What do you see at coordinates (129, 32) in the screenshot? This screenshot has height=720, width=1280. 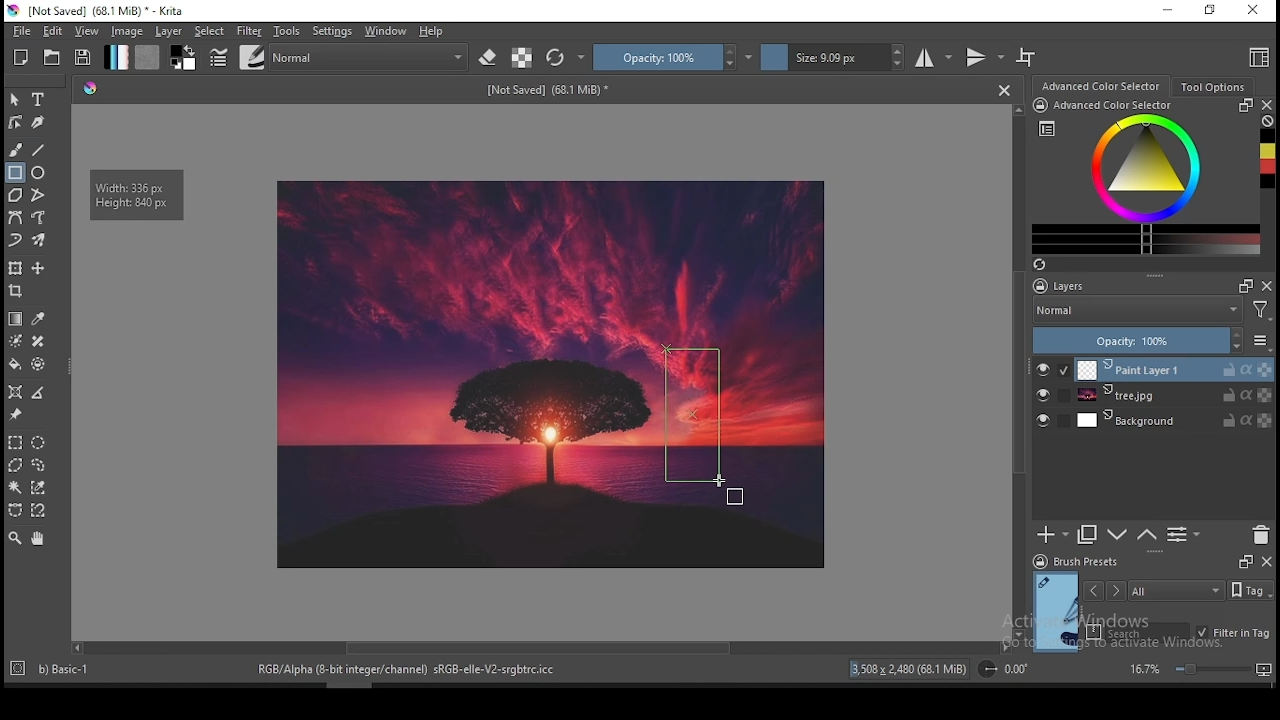 I see `image` at bounding box center [129, 32].